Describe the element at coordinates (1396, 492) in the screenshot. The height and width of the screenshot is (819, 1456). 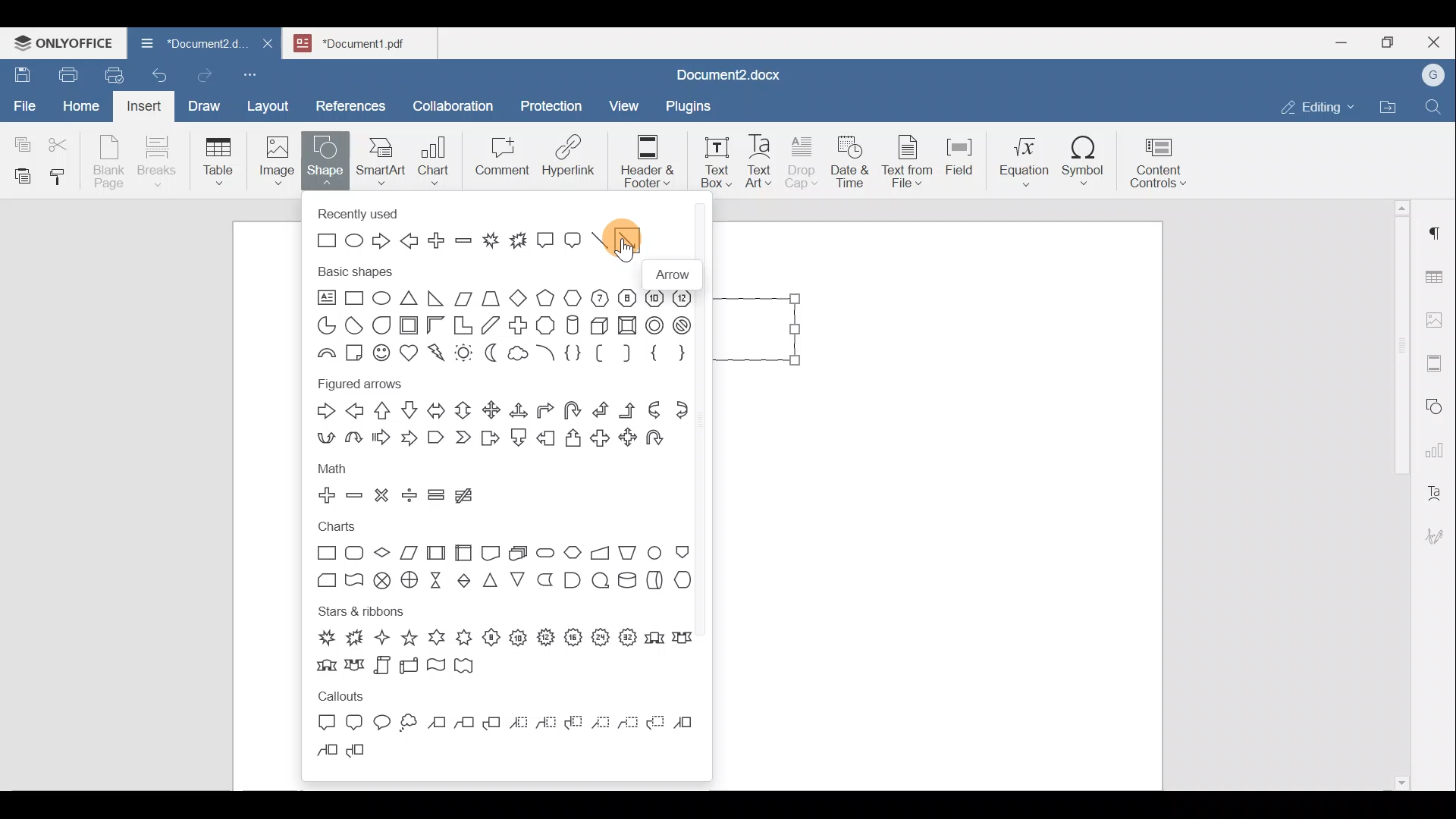
I see `Scroll bar` at that location.